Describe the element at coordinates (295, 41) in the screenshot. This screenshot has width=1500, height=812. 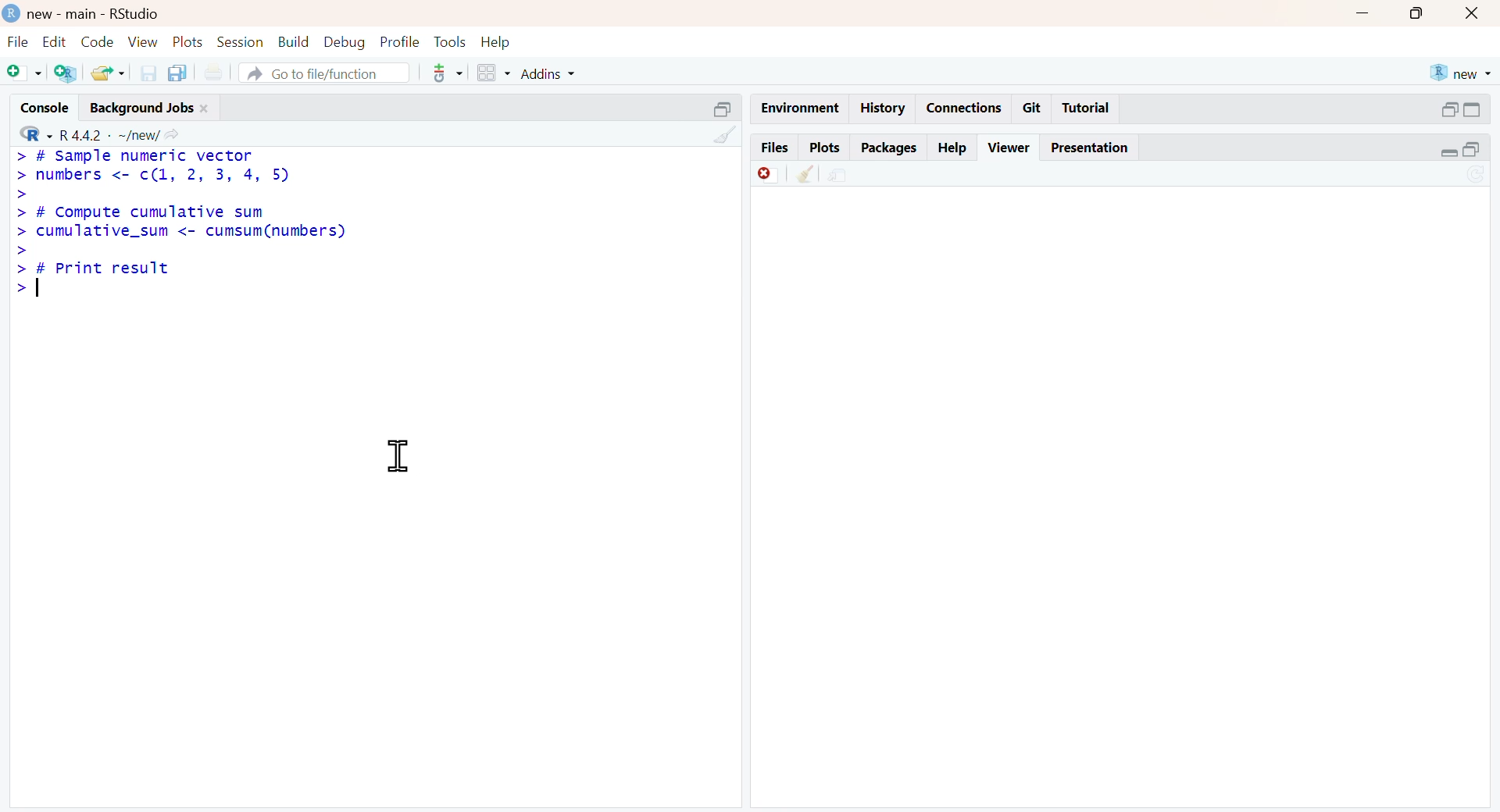
I see `build` at that location.